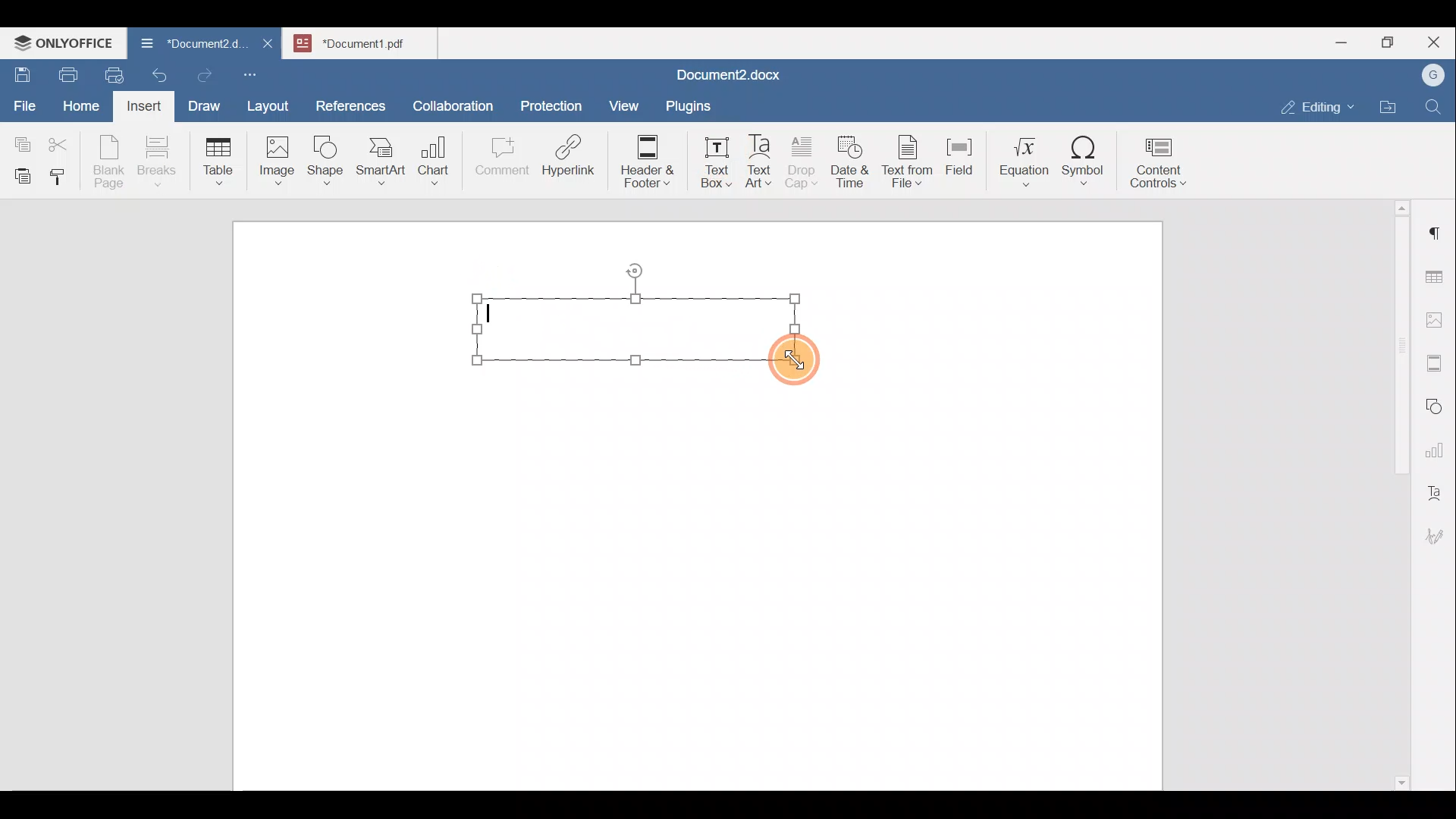  I want to click on Quick print, so click(110, 73).